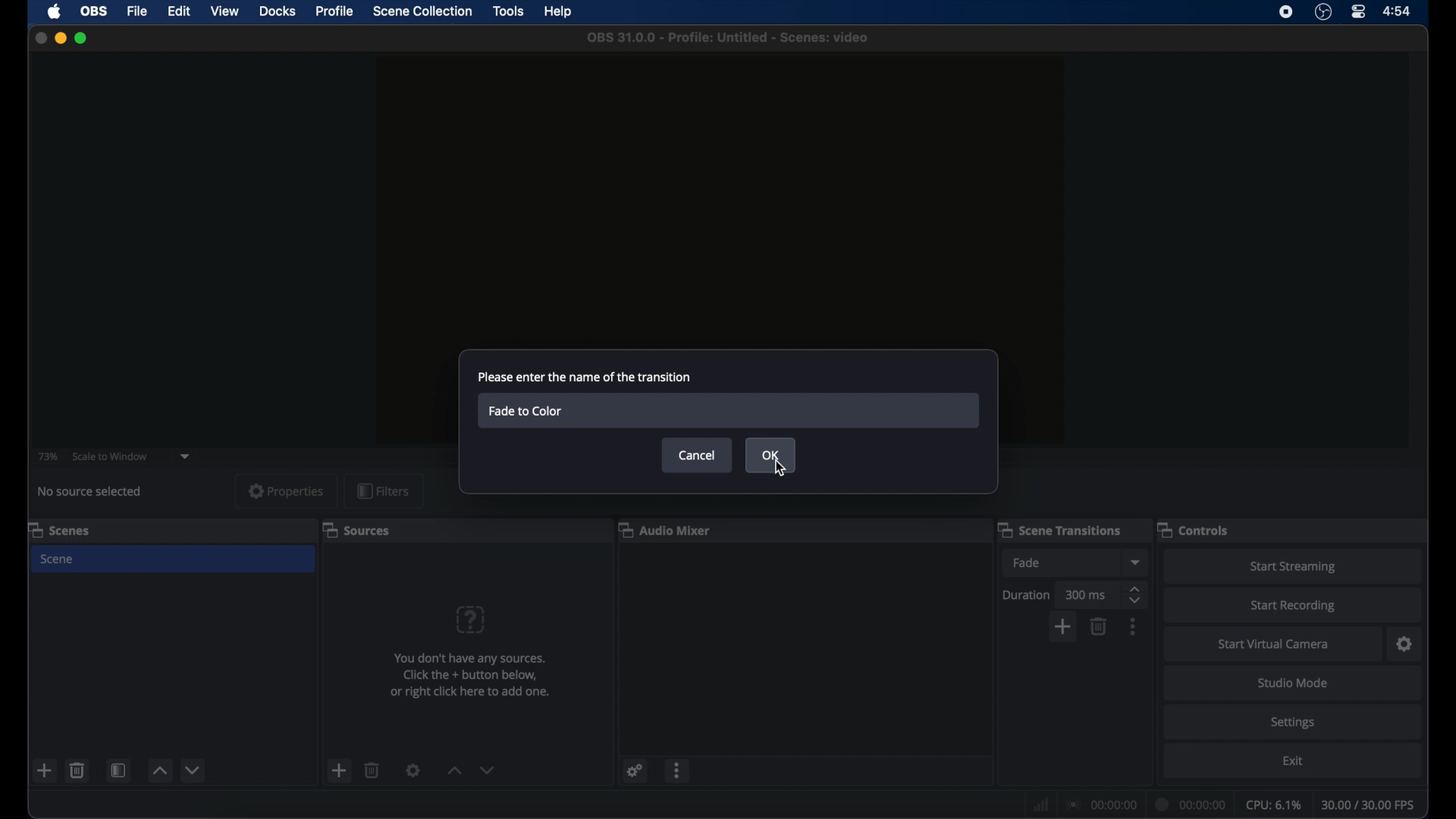 The height and width of the screenshot is (819, 1456). Describe the element at coordinates (780, 470) in the screenshot. I see `cursor` at that location.